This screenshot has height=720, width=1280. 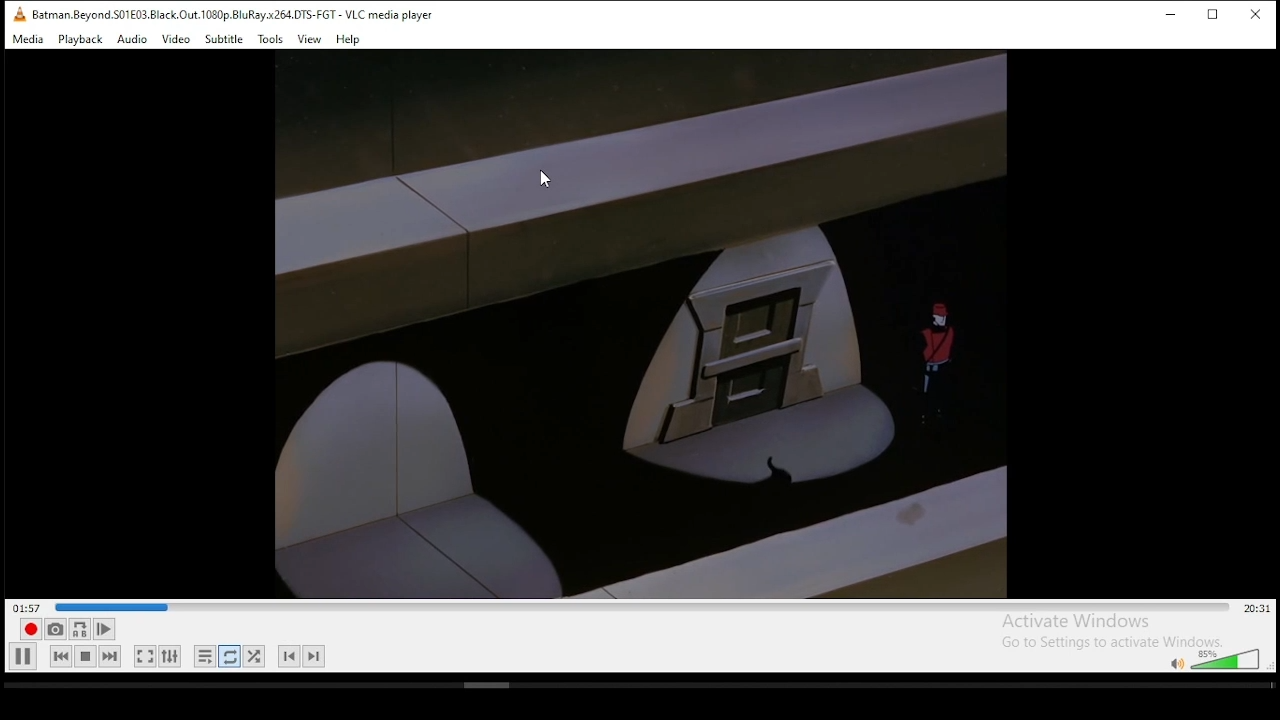 I want to click on next media in playlist, skips forward when held, so click(x=111, y=656).